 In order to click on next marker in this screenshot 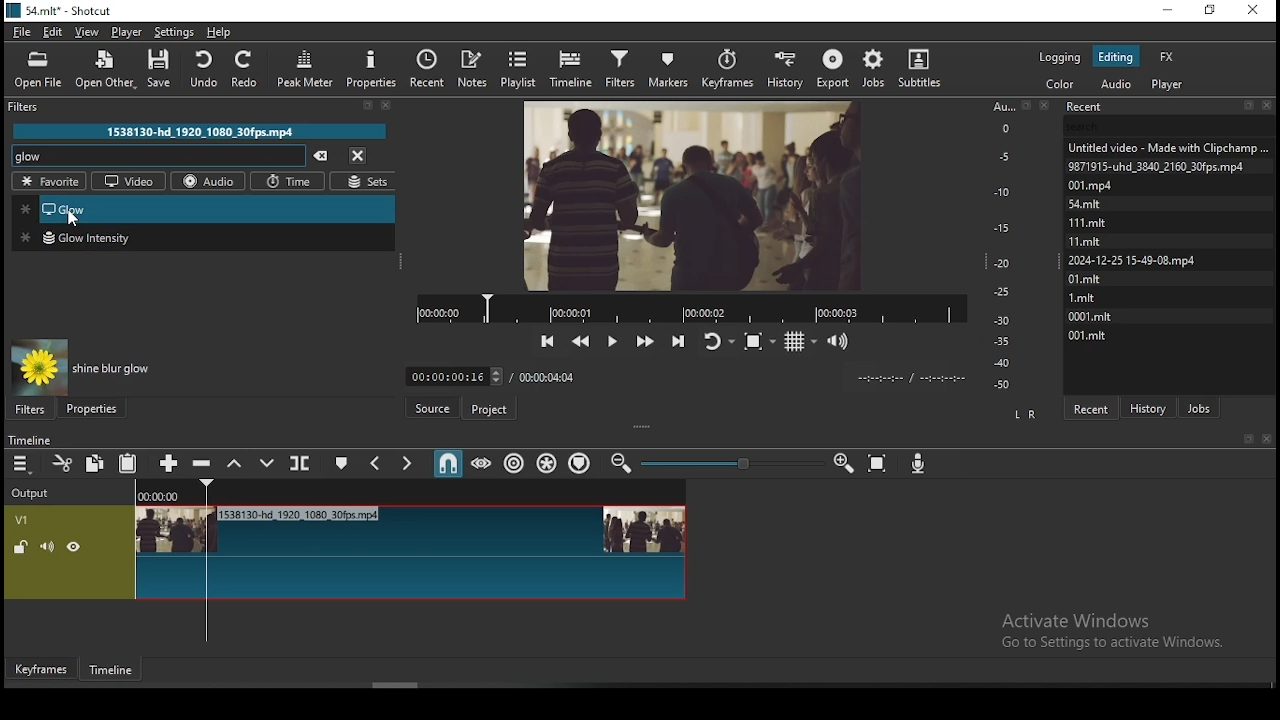, I will do `click(405, 464)`.